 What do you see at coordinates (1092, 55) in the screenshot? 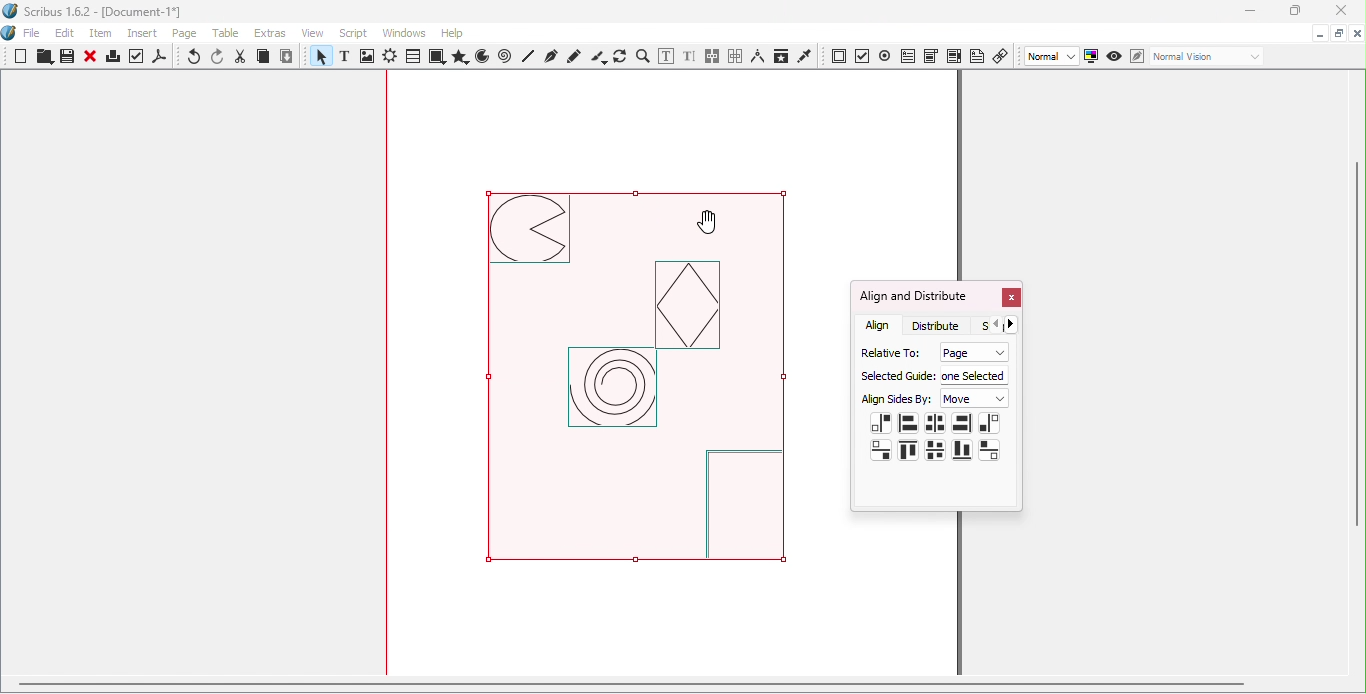
I see `Toggle color management system` at bounding box center [1092, 55].